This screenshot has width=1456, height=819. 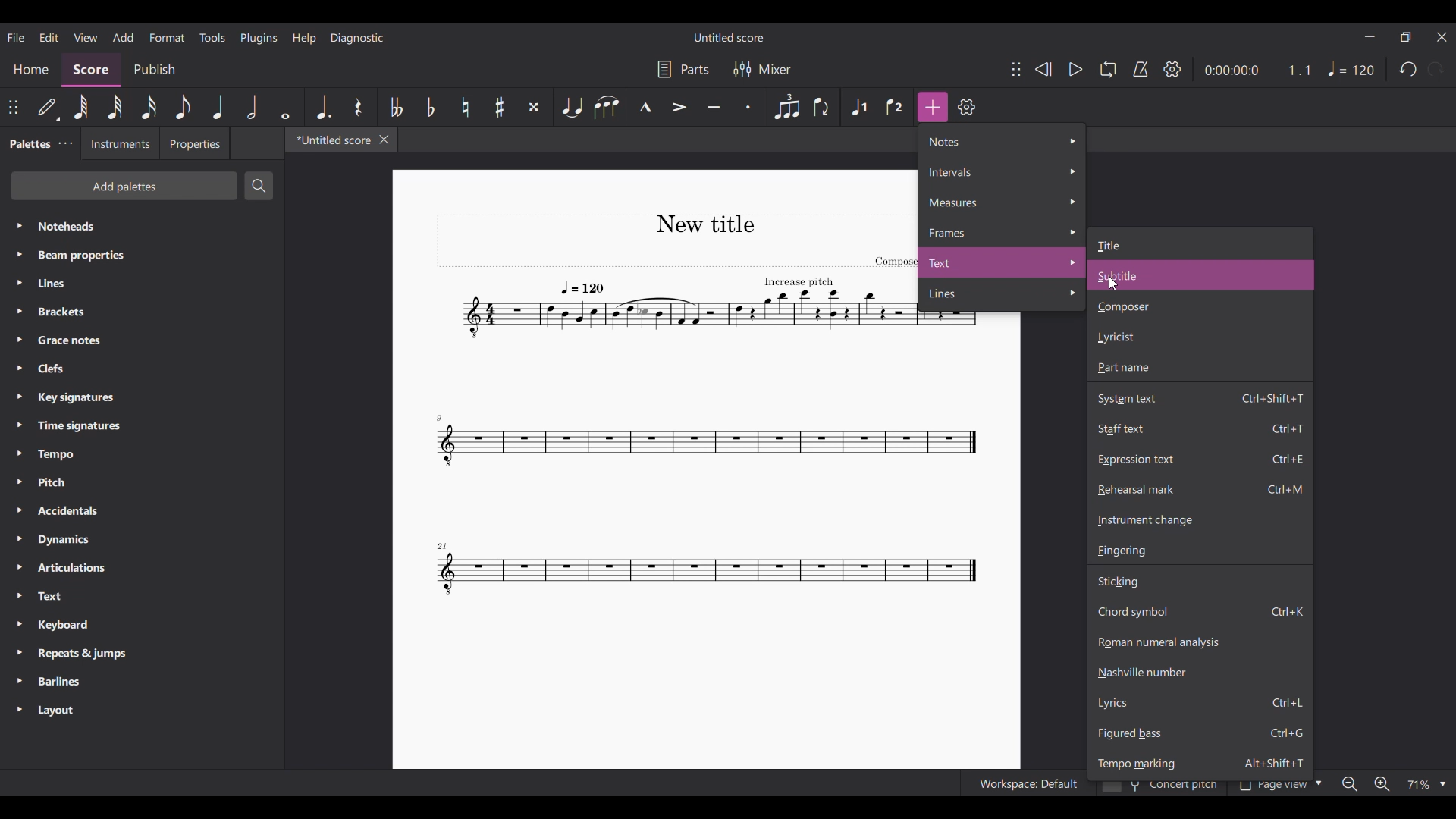 What do you see at coordinates (1436, 69) in the screenshot?
I see `Redo` at bounding box center [1436, 69].